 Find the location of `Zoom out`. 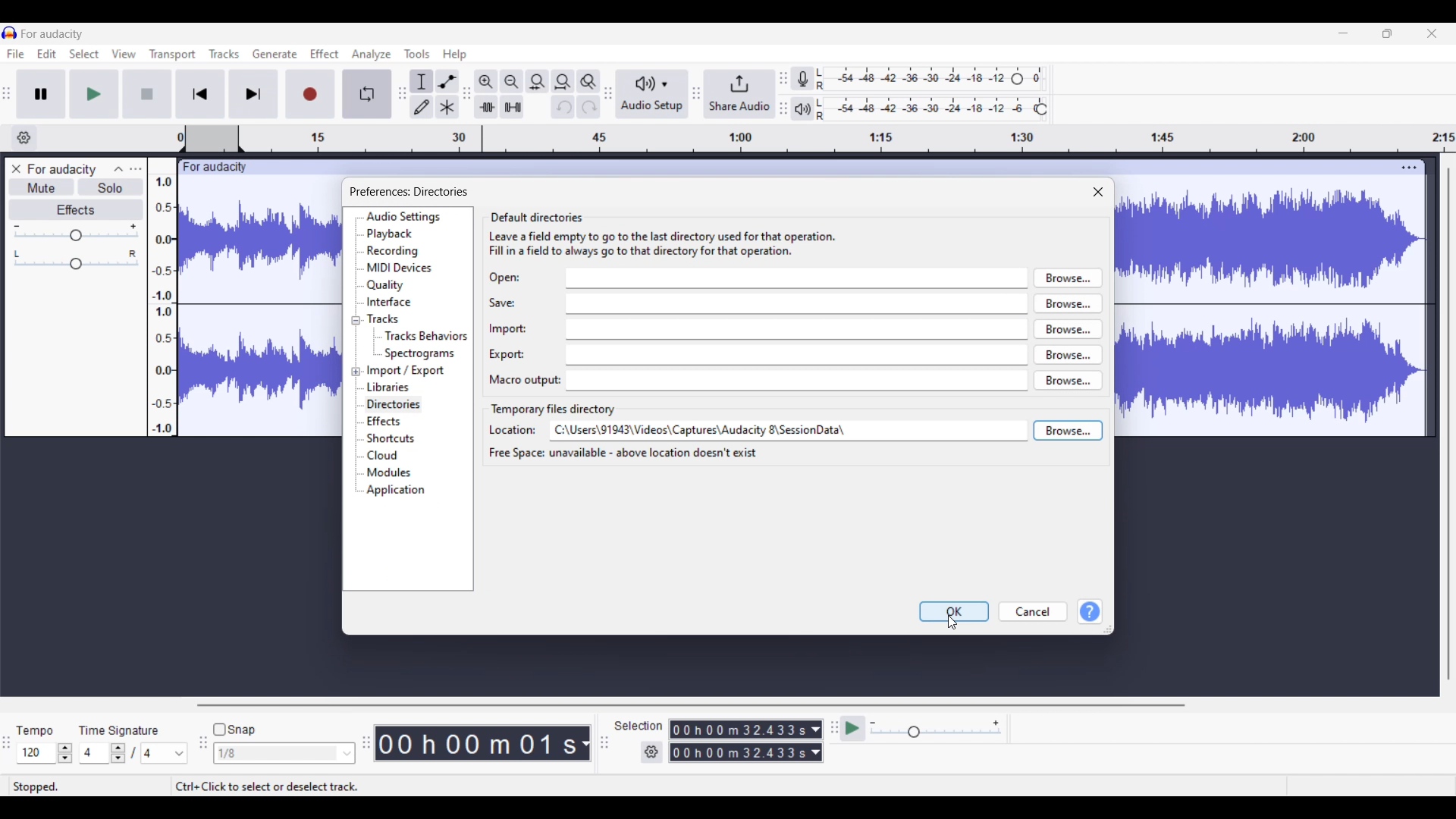

Zoom out is located at coordinates (512, 82).